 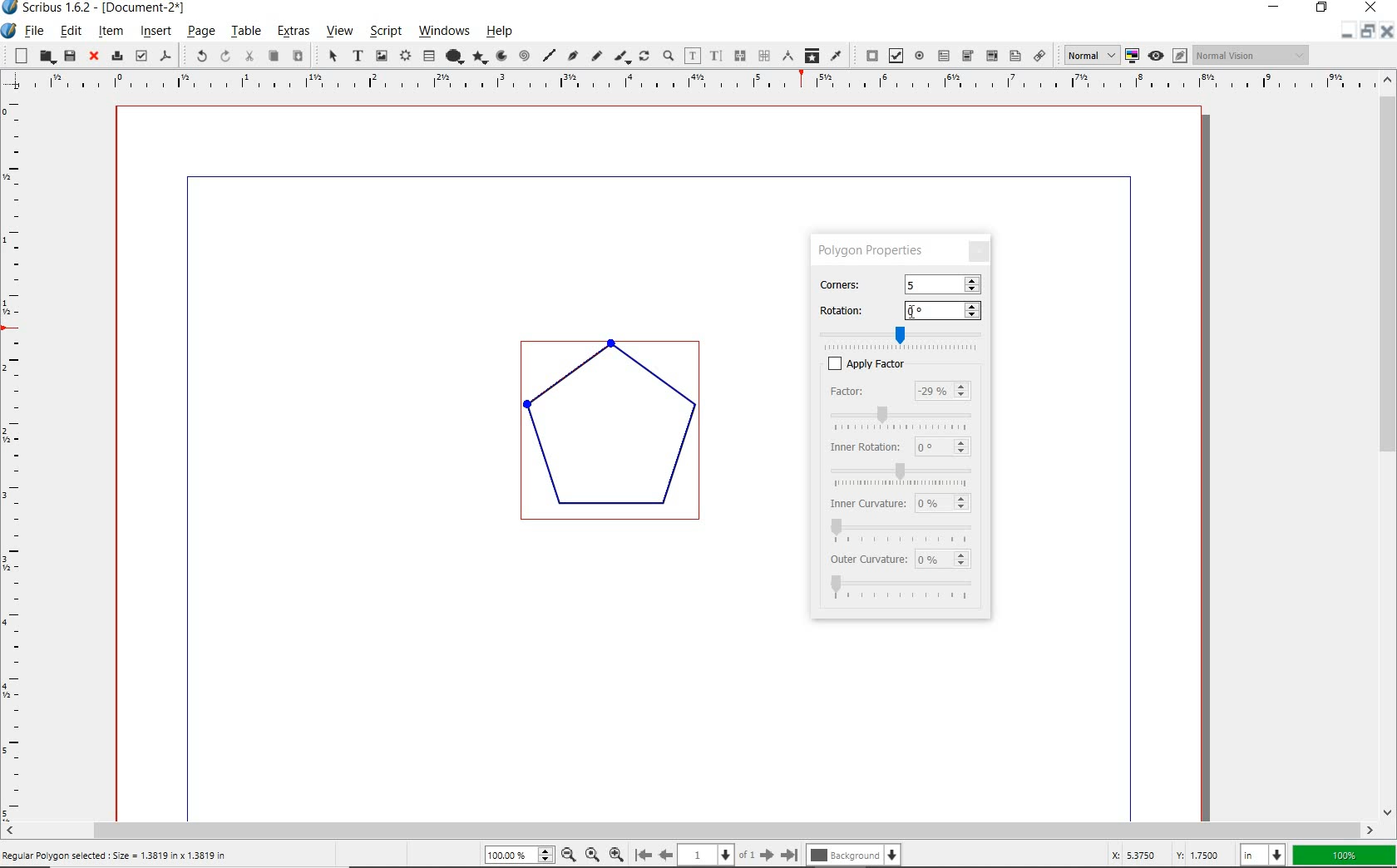 What do you see at coordinates (1039, 57) in the screenshot?
I see `link annotation` at bounding box center [1039, 57].